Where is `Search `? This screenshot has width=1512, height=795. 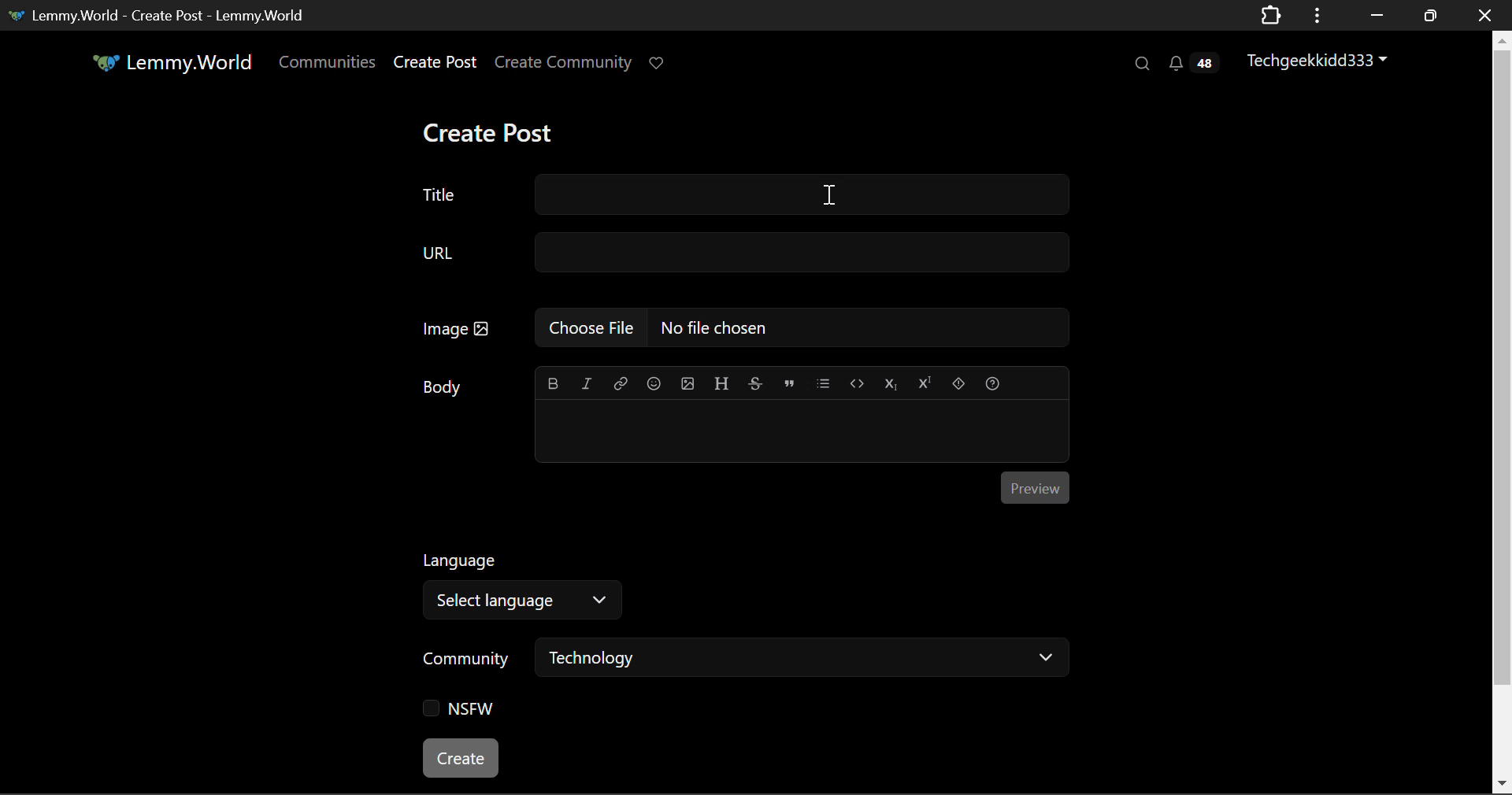
Search  is located at coordinates (1140, 63).